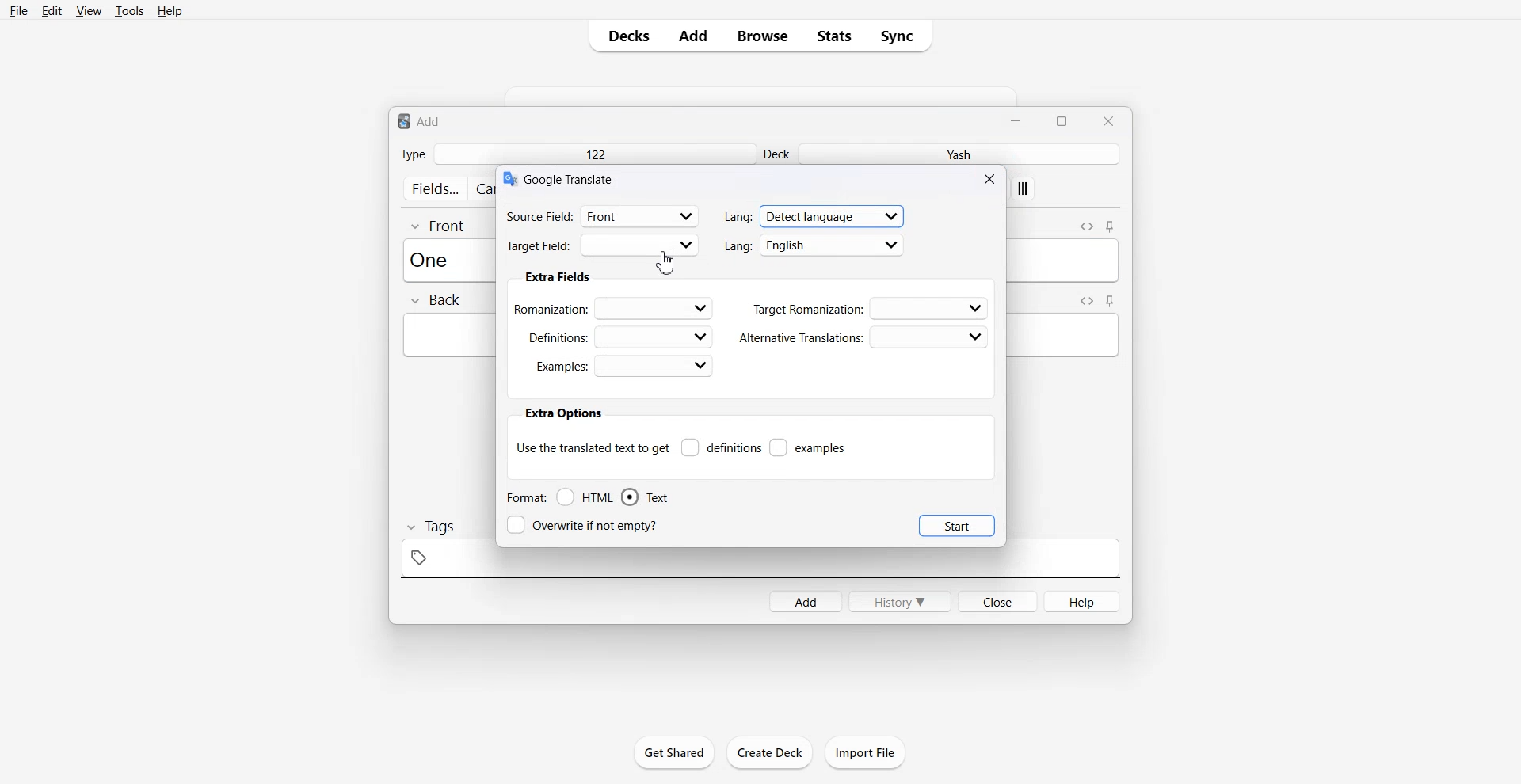 Image resolution: width=1521 pixels, height=784 pixels. I want to click on Type, so click(413, 154).